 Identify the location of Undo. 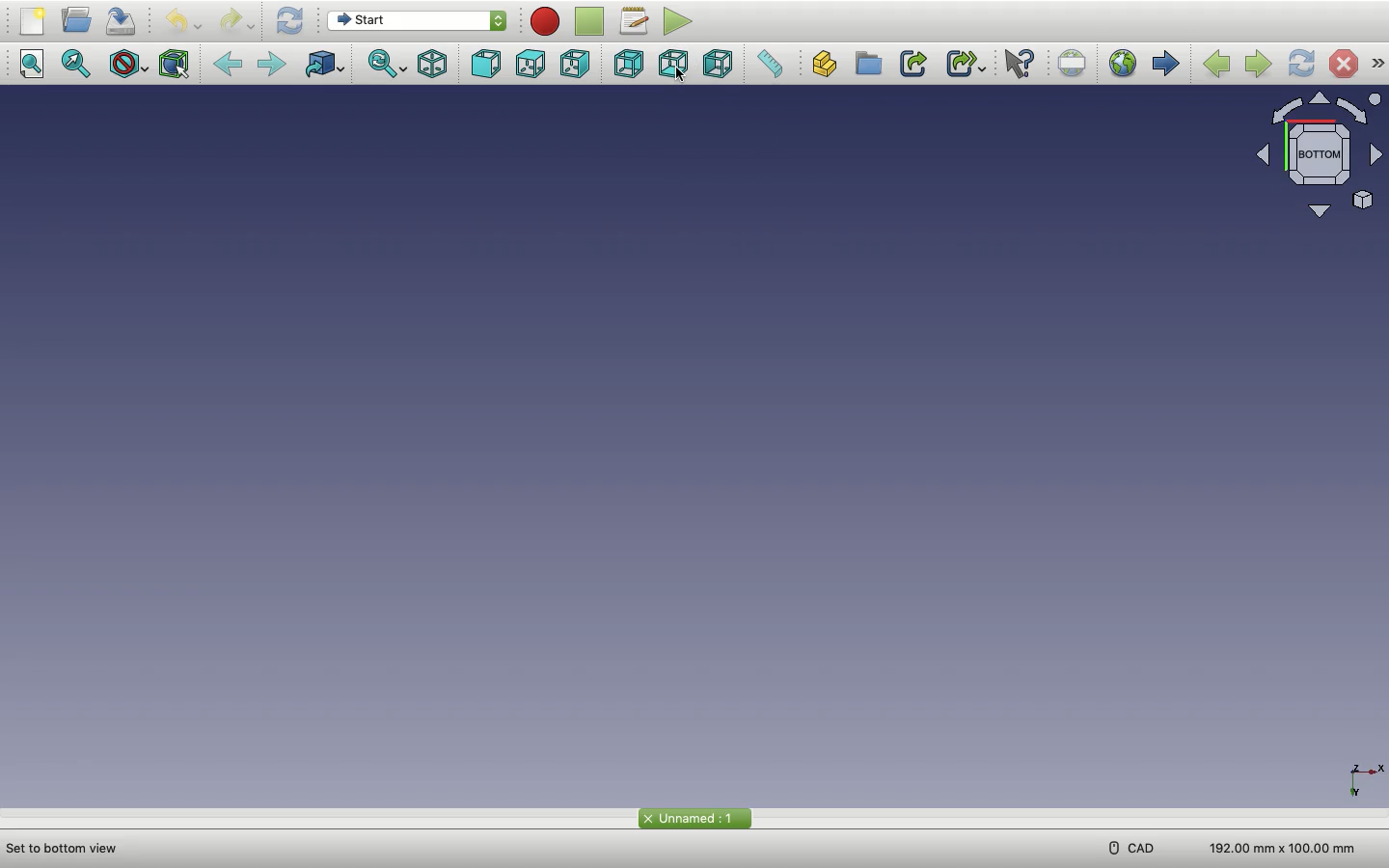
(184, 21).